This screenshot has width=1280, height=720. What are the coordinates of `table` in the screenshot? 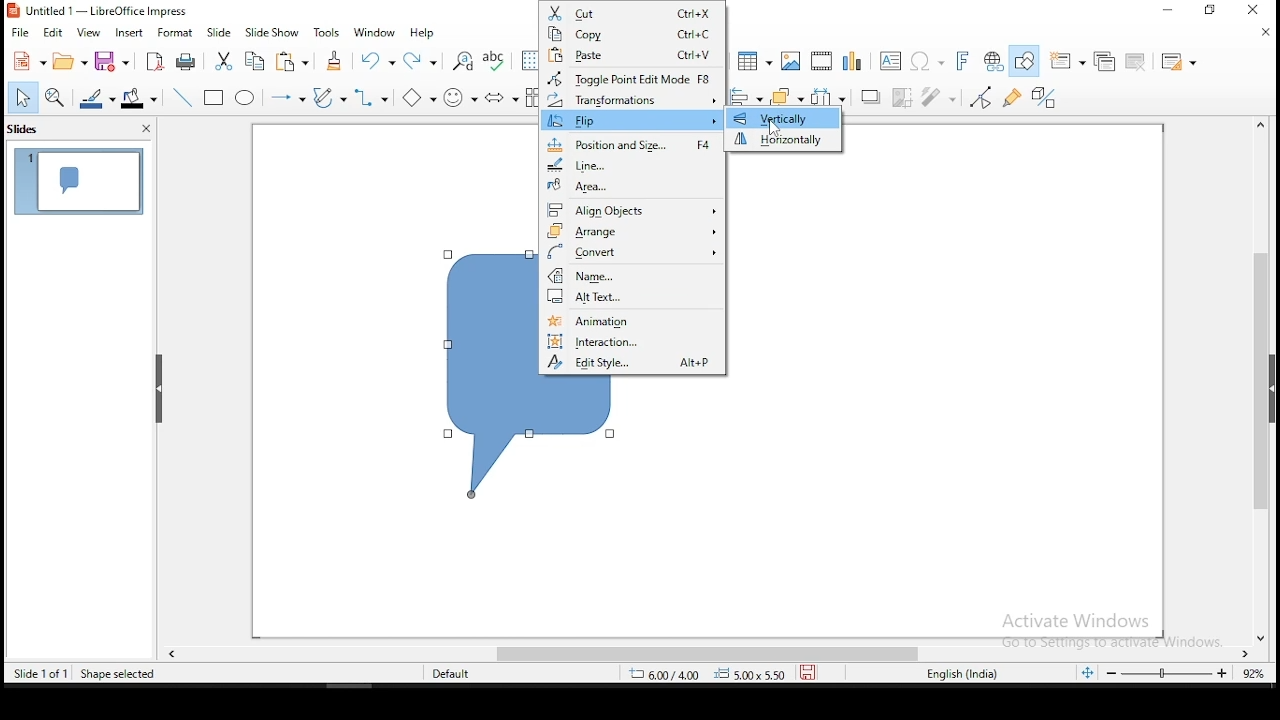 It's located at (752, 59).